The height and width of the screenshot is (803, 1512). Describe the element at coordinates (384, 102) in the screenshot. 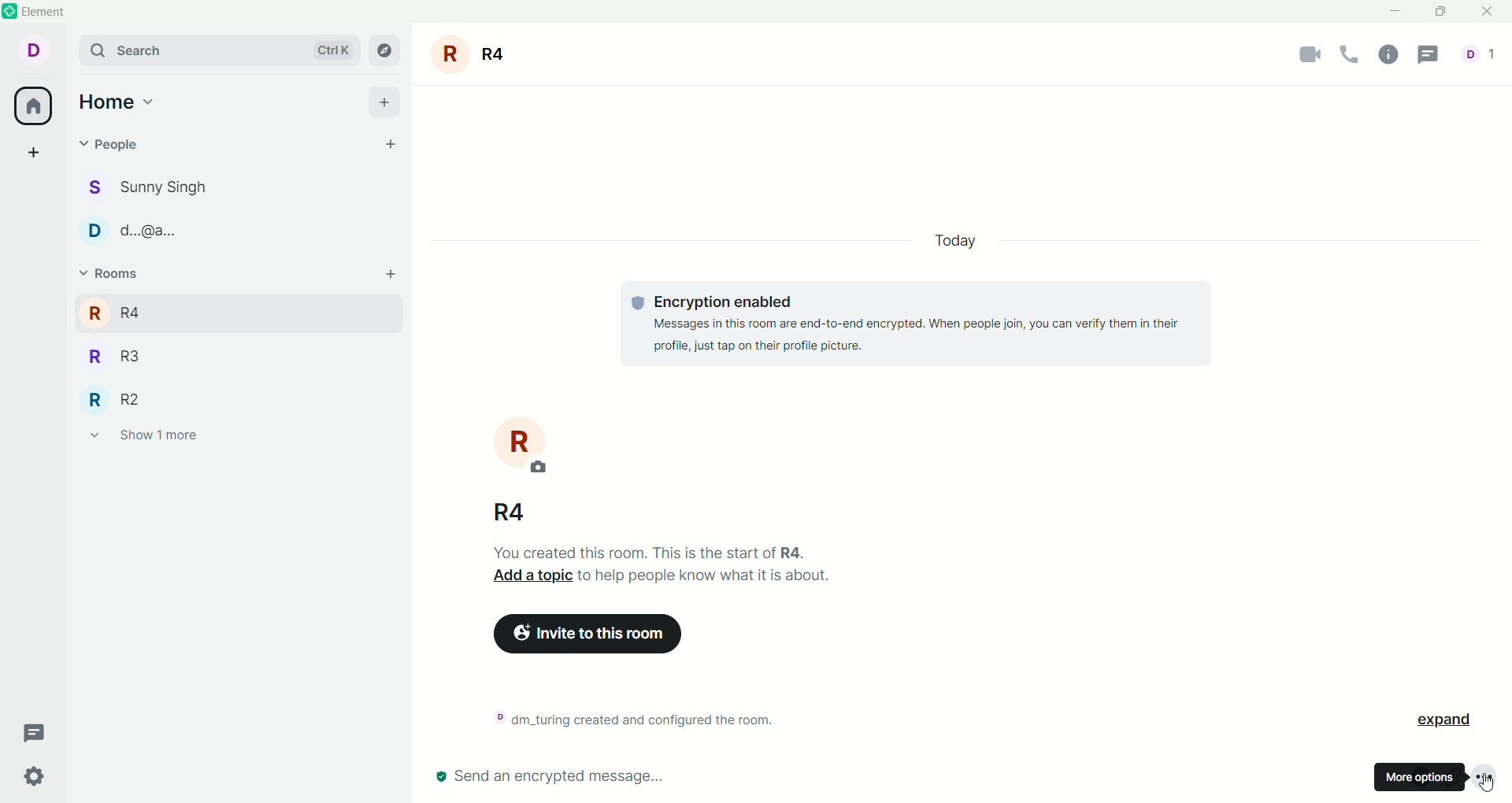

I see `add` at that location.